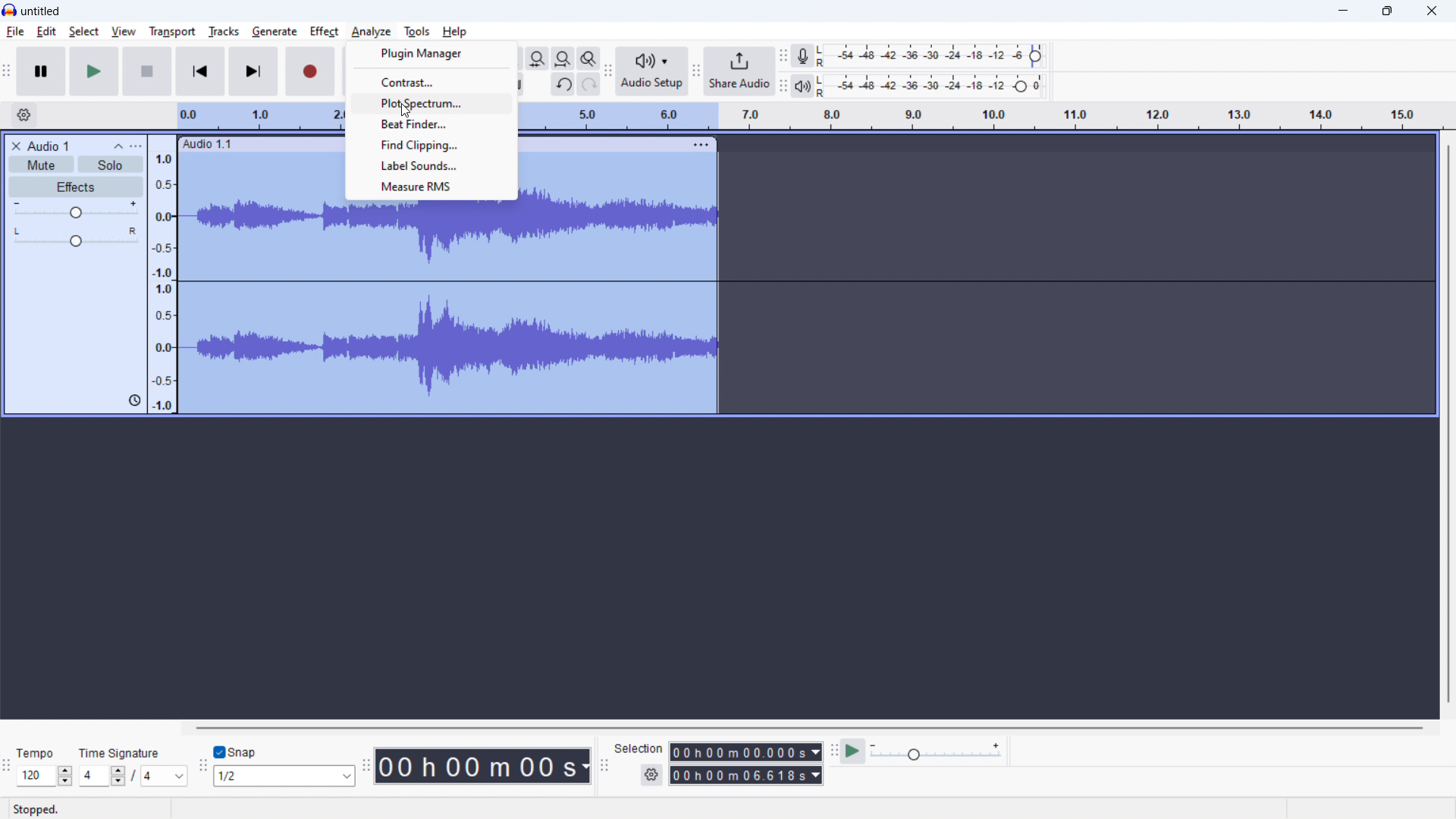 This screenshot has height=819, width=1456. Describe the element at coordinates (287, 810) in the screenshot. I see `Click and drag to select audio` at that location.